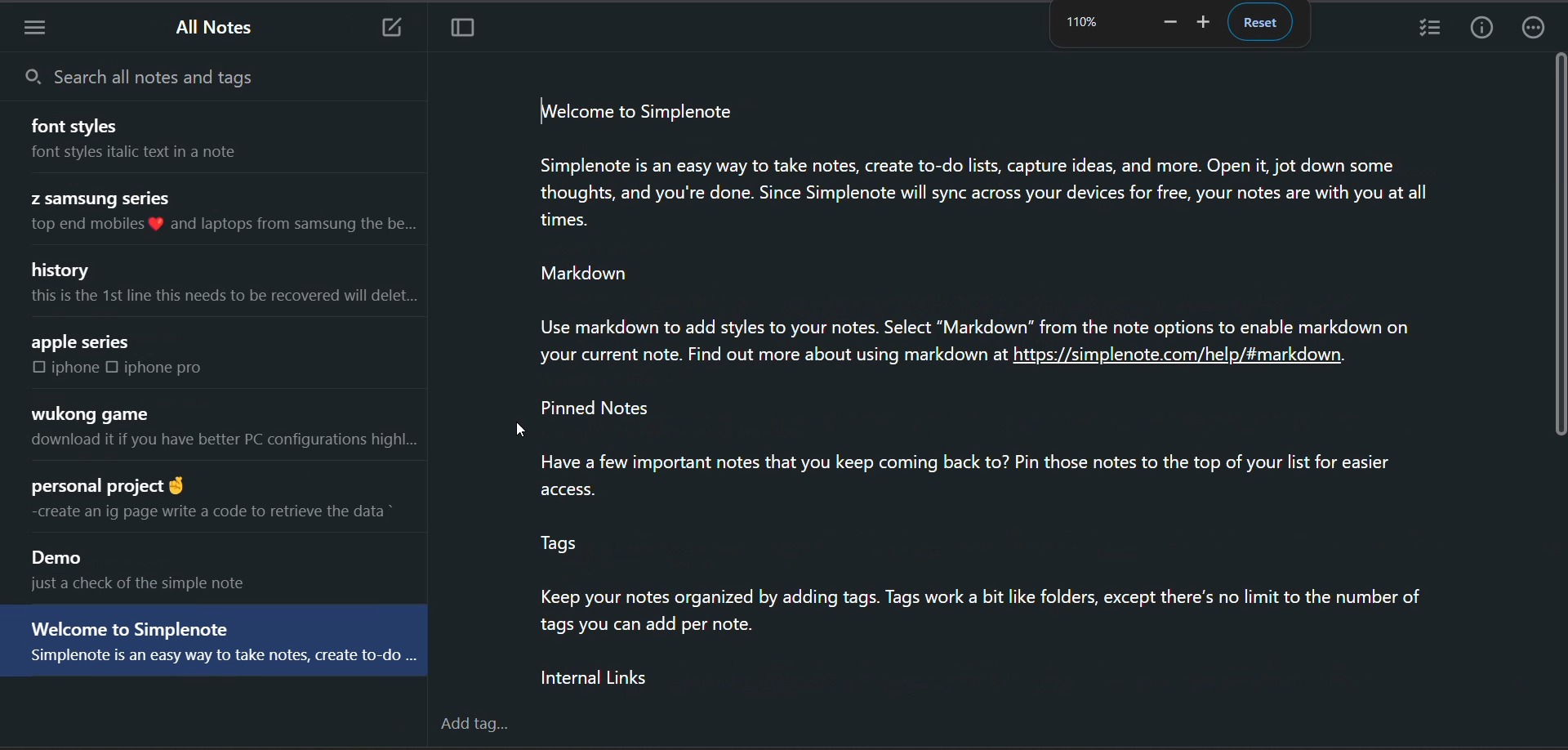  I want to click on your current note. Find out more about using markdown at, so click(757, 355).